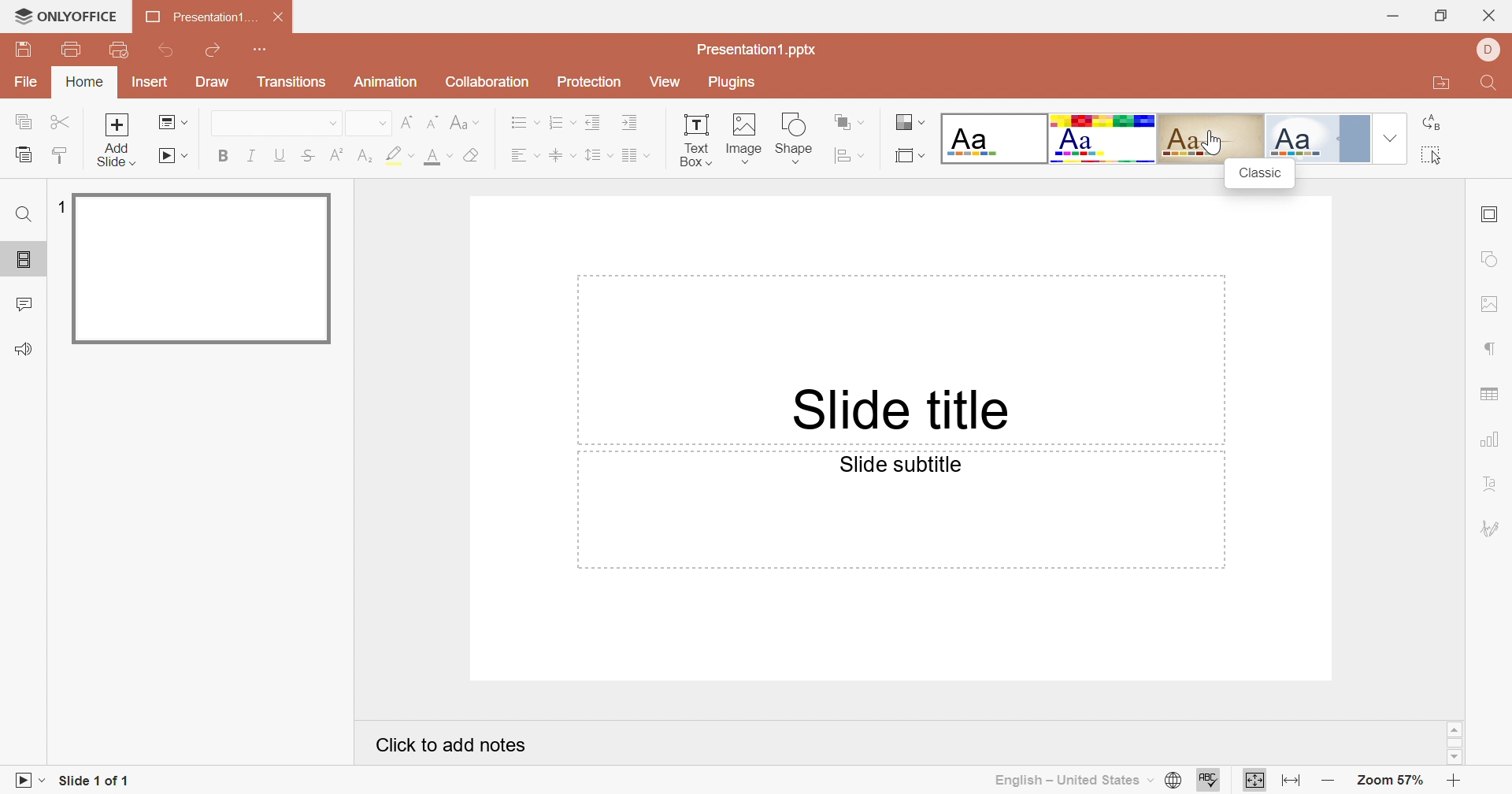  What do you see at coordinates (1152, 777) in the screenshot?
I see `Drop Down` at bounding box center [1152, 777].